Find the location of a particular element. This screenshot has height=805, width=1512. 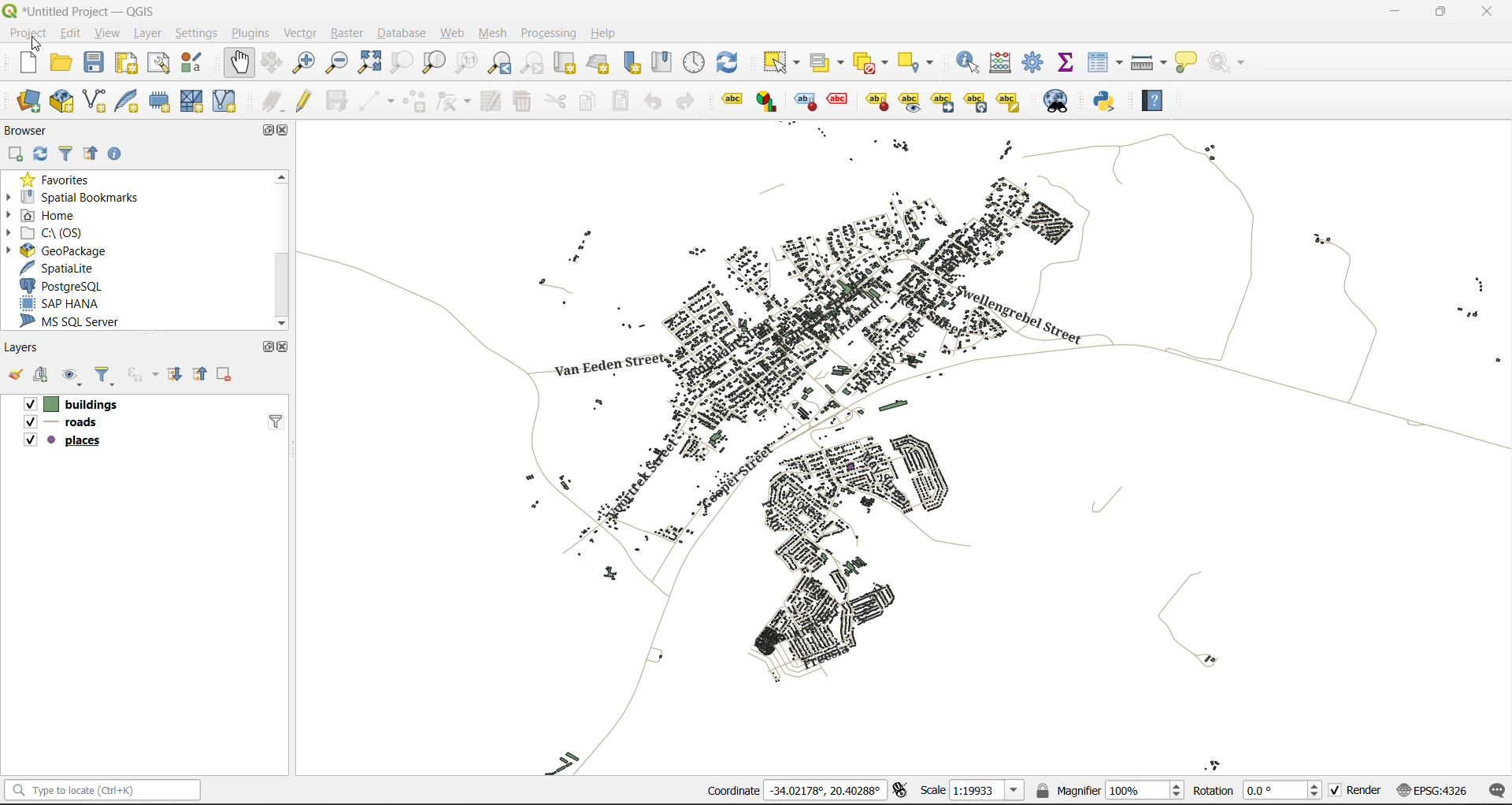

filter by expression is located at coordinates (142, 374).